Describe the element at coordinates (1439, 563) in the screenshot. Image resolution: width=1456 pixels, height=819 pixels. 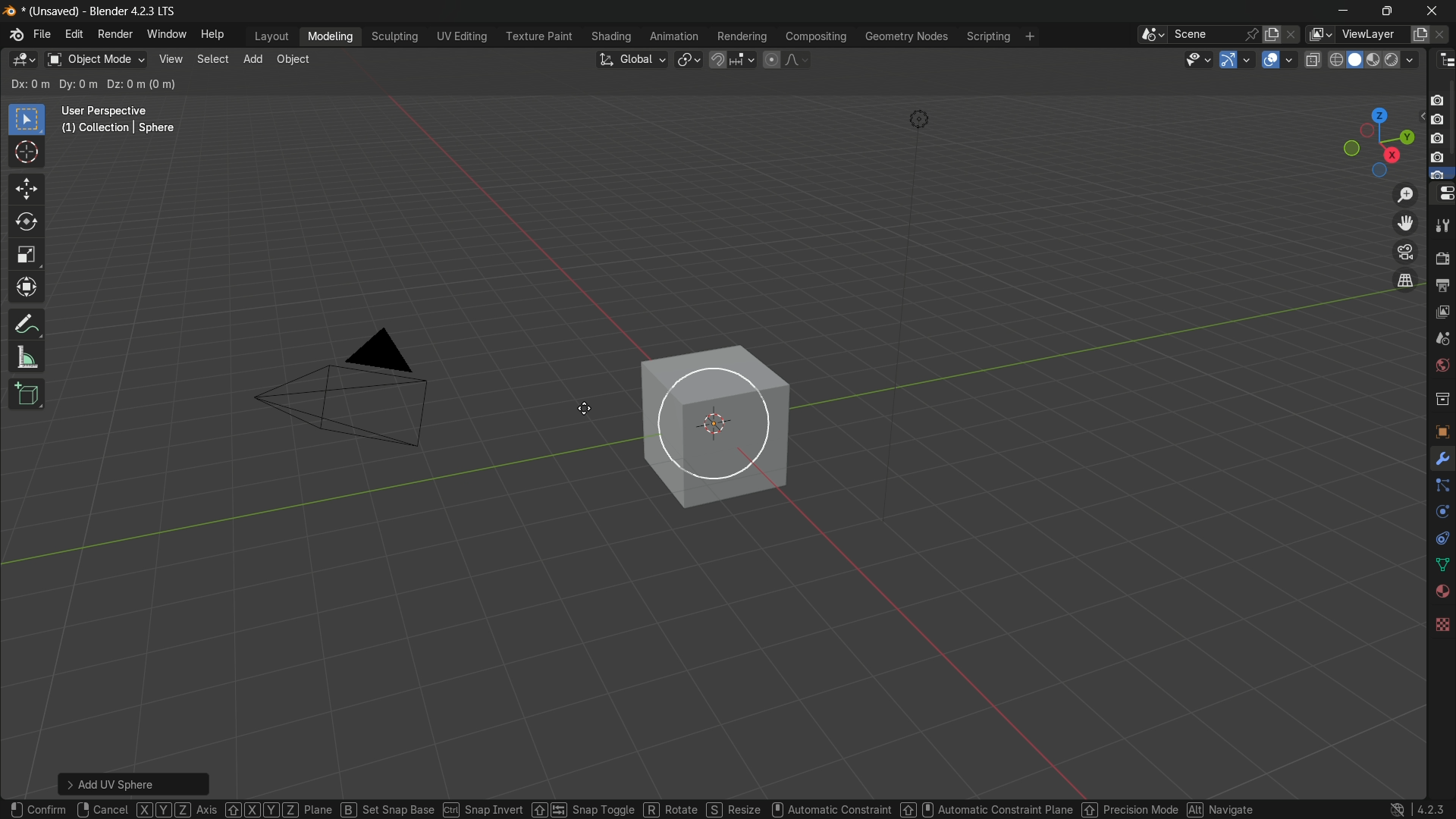
I see `Mesh Data Properties` at that location.